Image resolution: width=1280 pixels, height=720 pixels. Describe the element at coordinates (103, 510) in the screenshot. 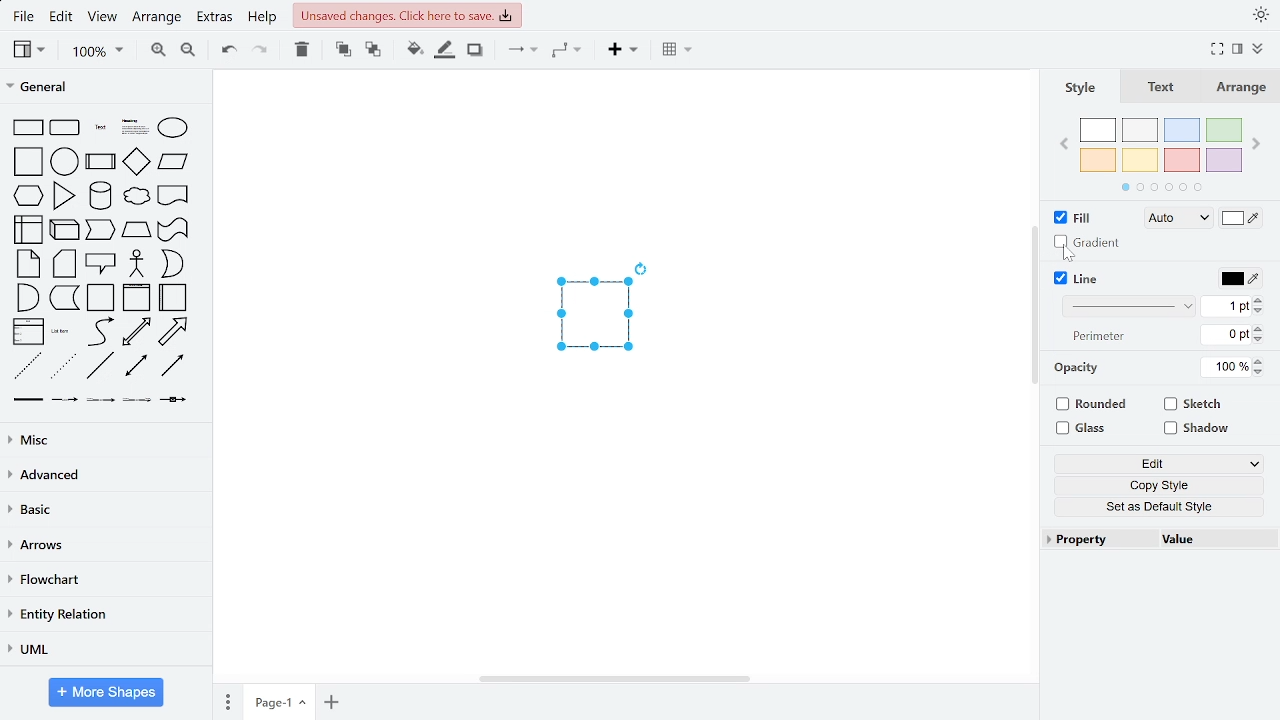

I see `basic` at that location.